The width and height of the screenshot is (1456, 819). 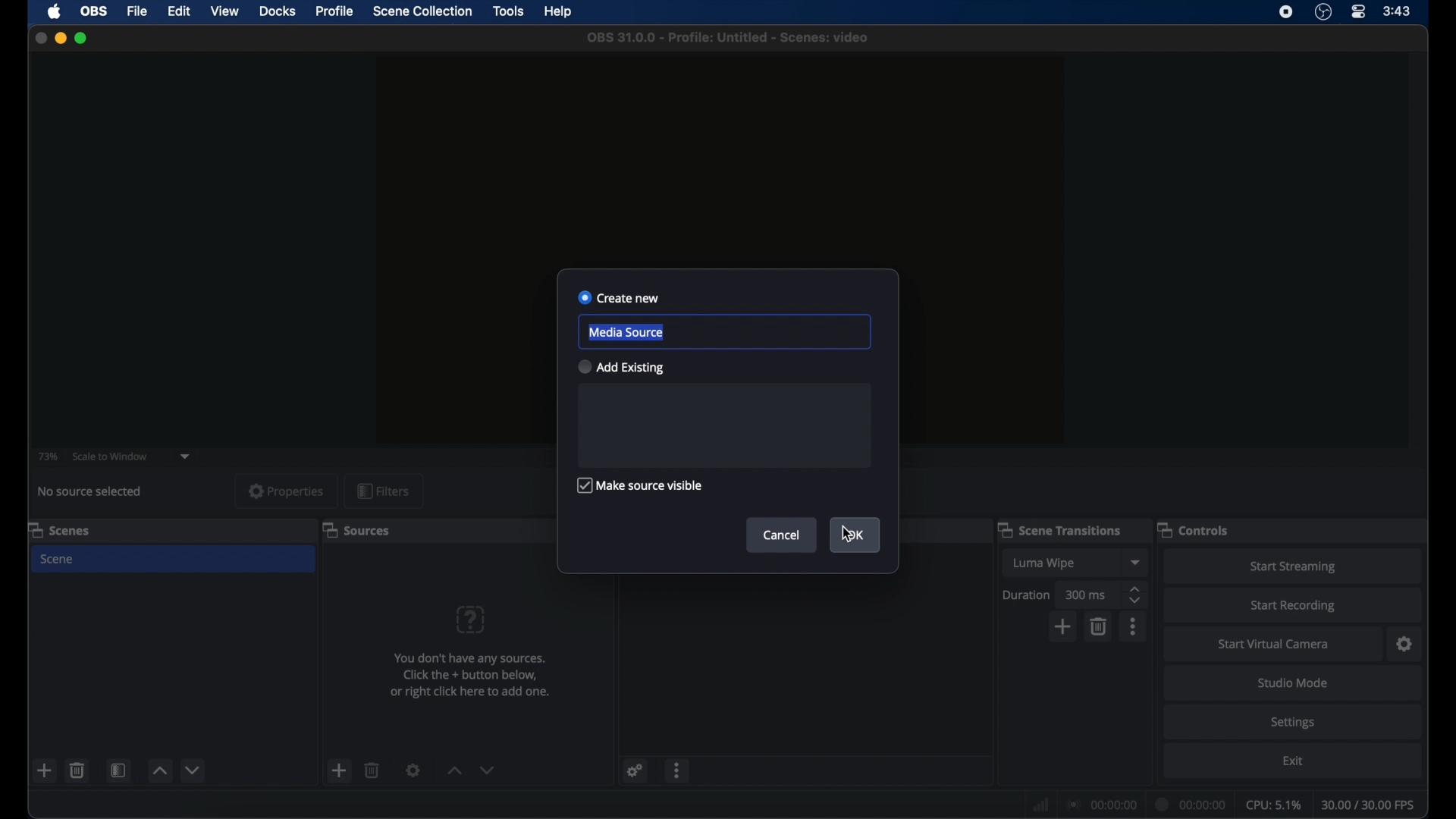 I want to click on stepper buttons, so click(x=1134, y=595).